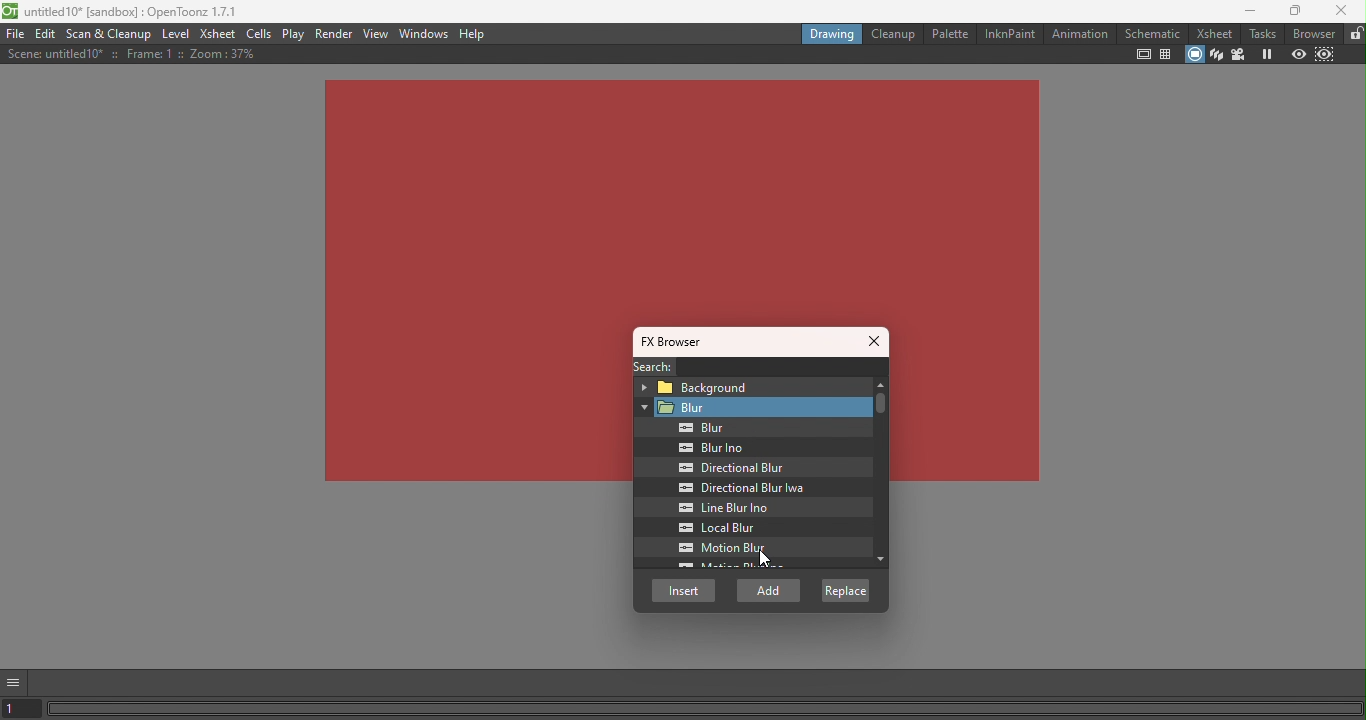 Image resolution: width=1366 pixels, height=720 pixels. What do you see at coordinates (730, 468) in the screenshot?
I see `Directional Blur` at bounding box center [730, 468].